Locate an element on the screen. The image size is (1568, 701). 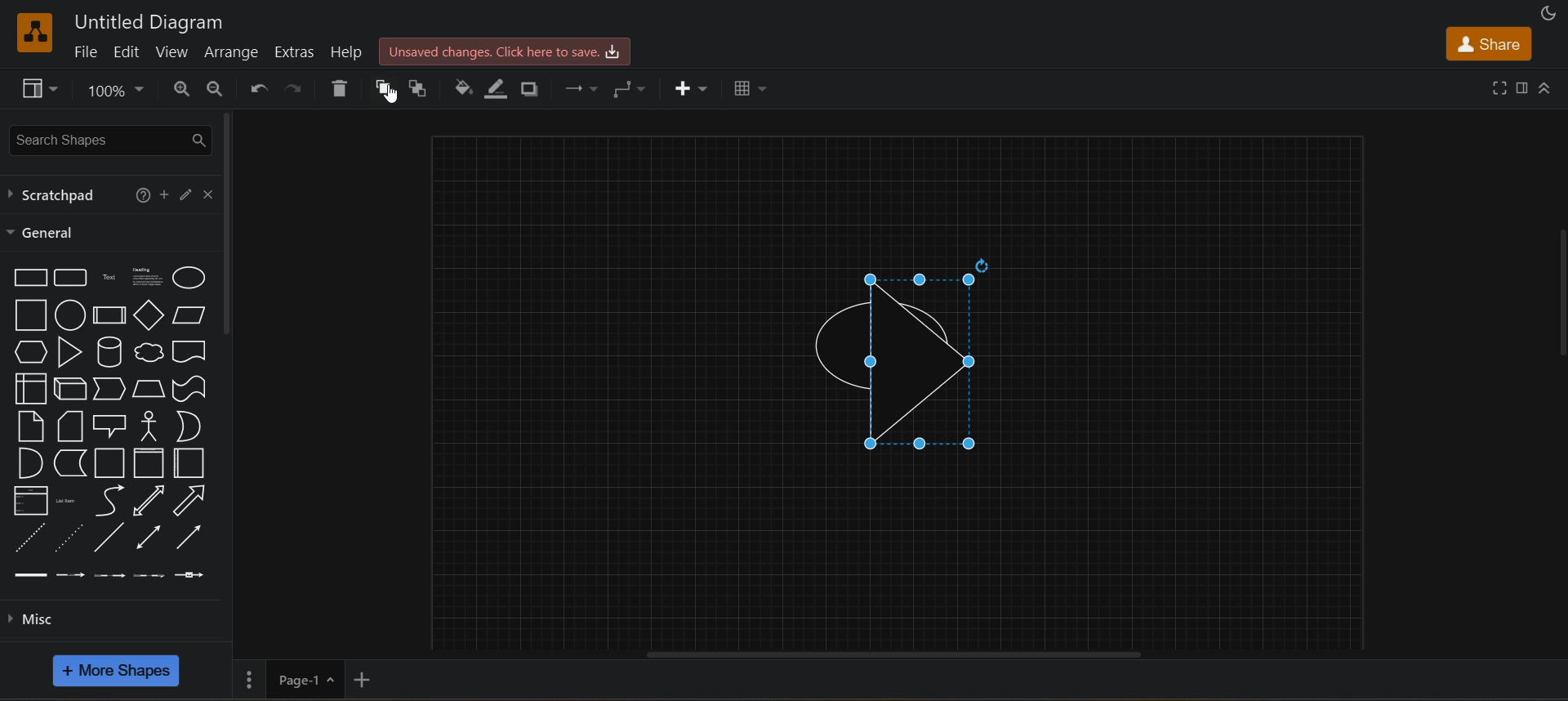
text is located at coordinates (108, 278).